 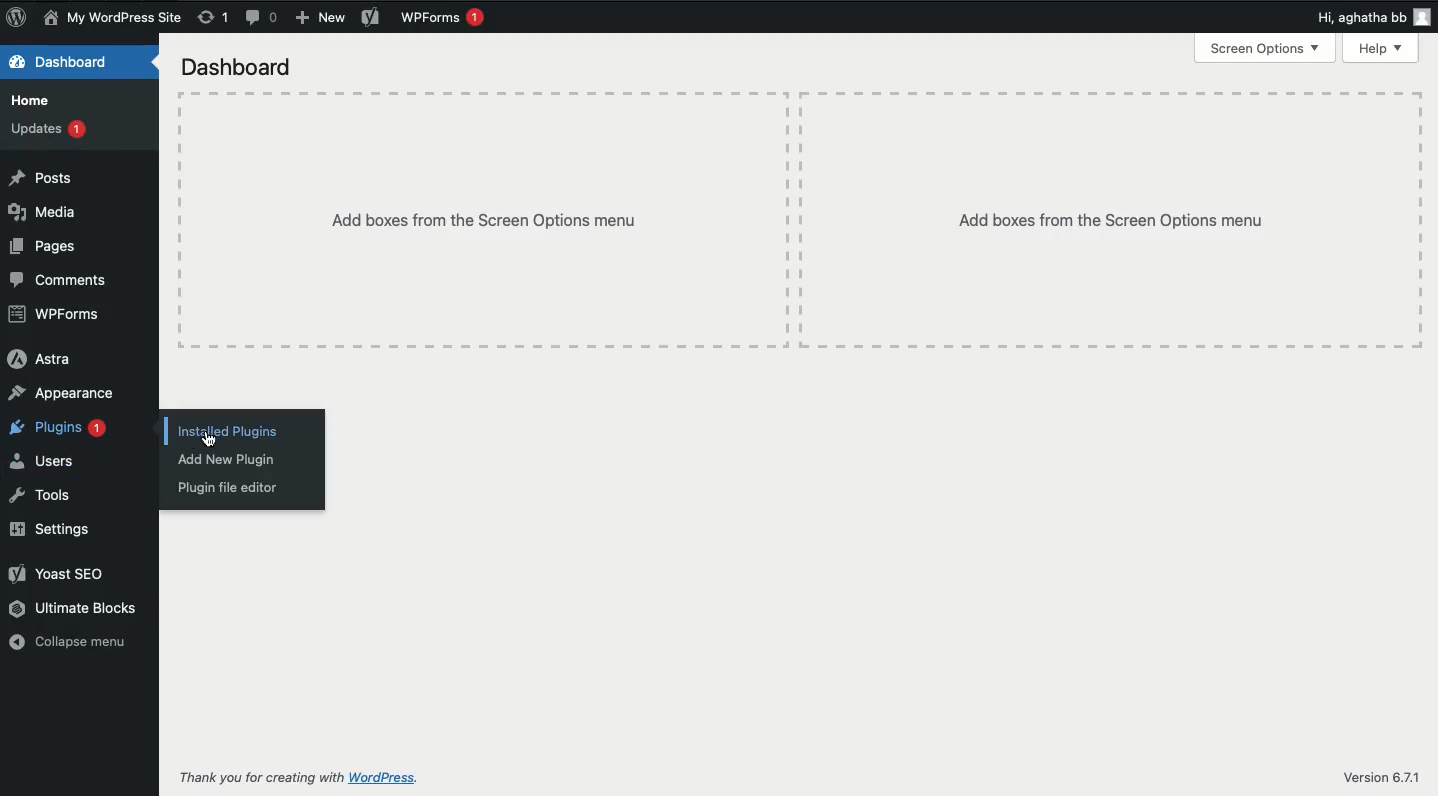 I want to click on Installed plugins, so click(x=226, y=430).